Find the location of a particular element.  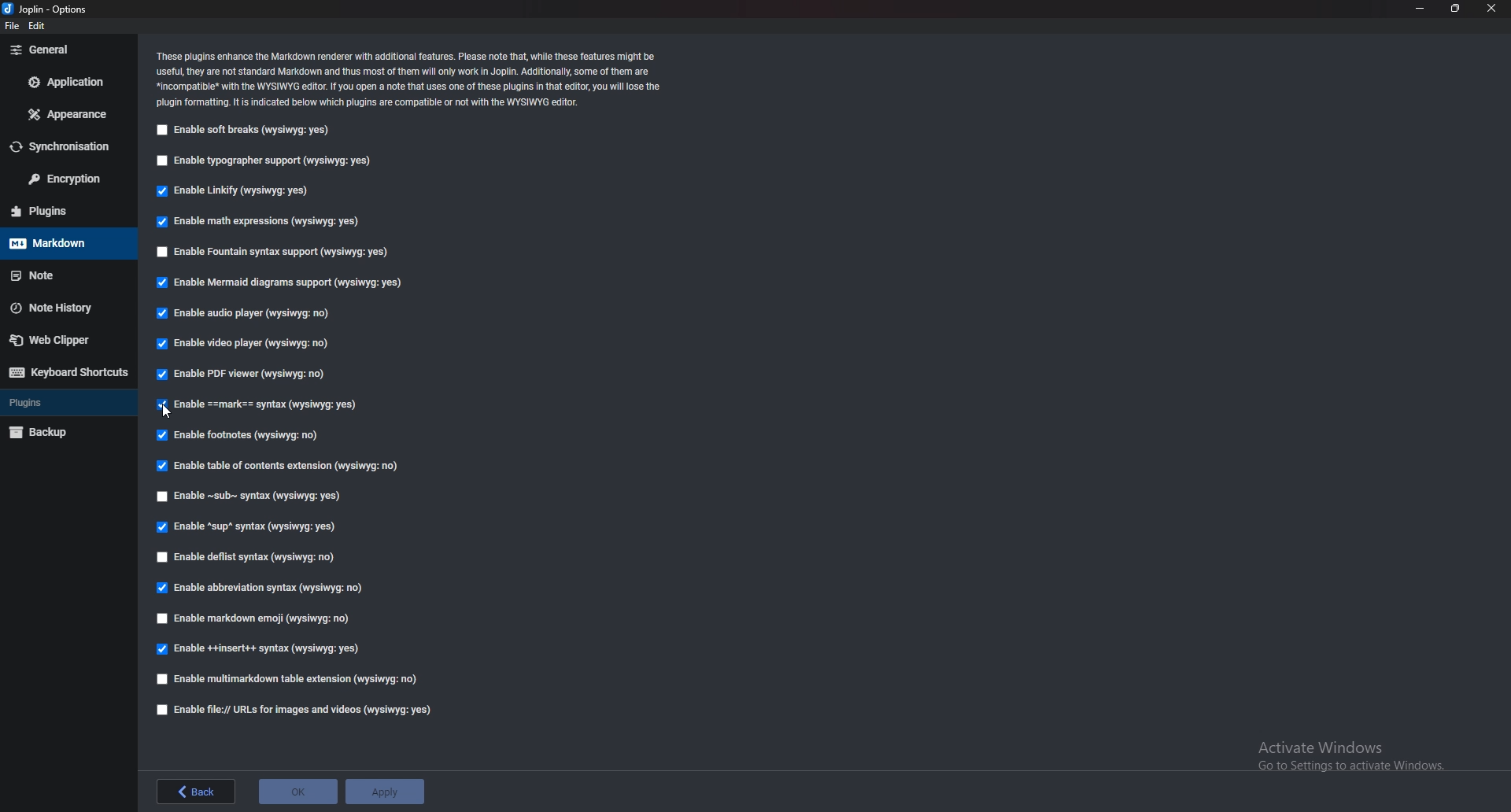

enable soft breaks is located at coordinates (246, 131).